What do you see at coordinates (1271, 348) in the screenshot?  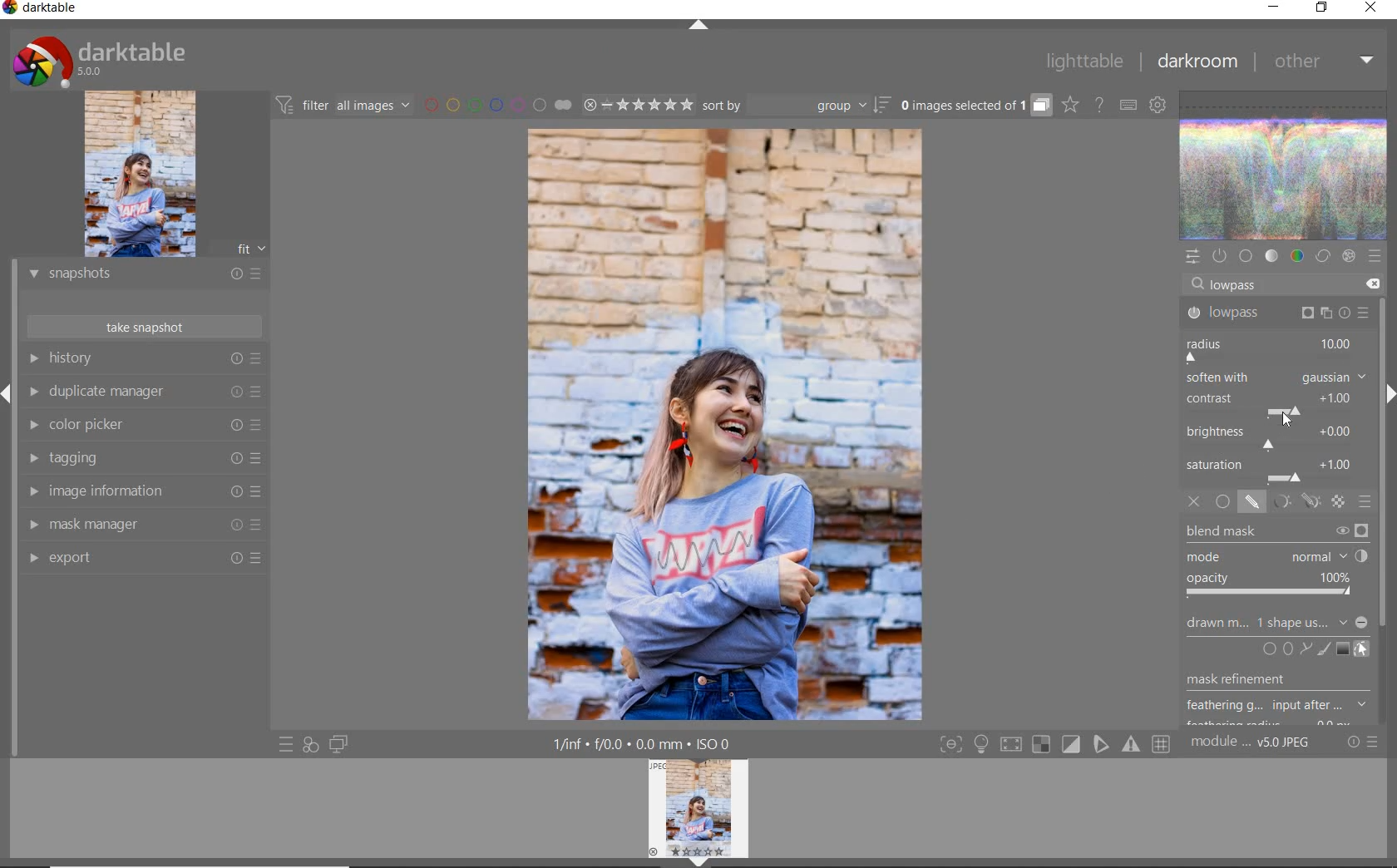 I see `radius` at bounding box center [1271, 348].